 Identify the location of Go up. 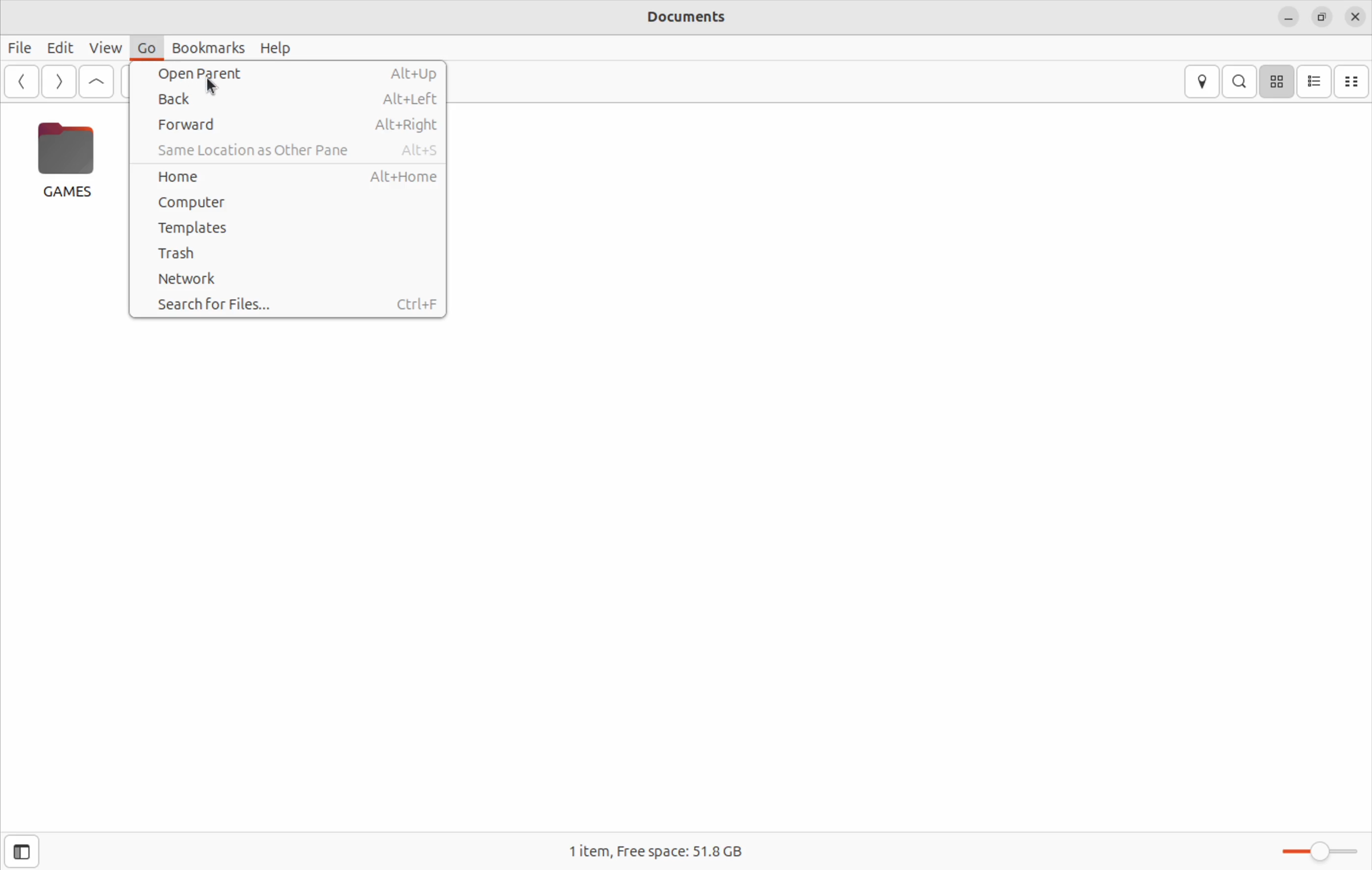
(96, 80).